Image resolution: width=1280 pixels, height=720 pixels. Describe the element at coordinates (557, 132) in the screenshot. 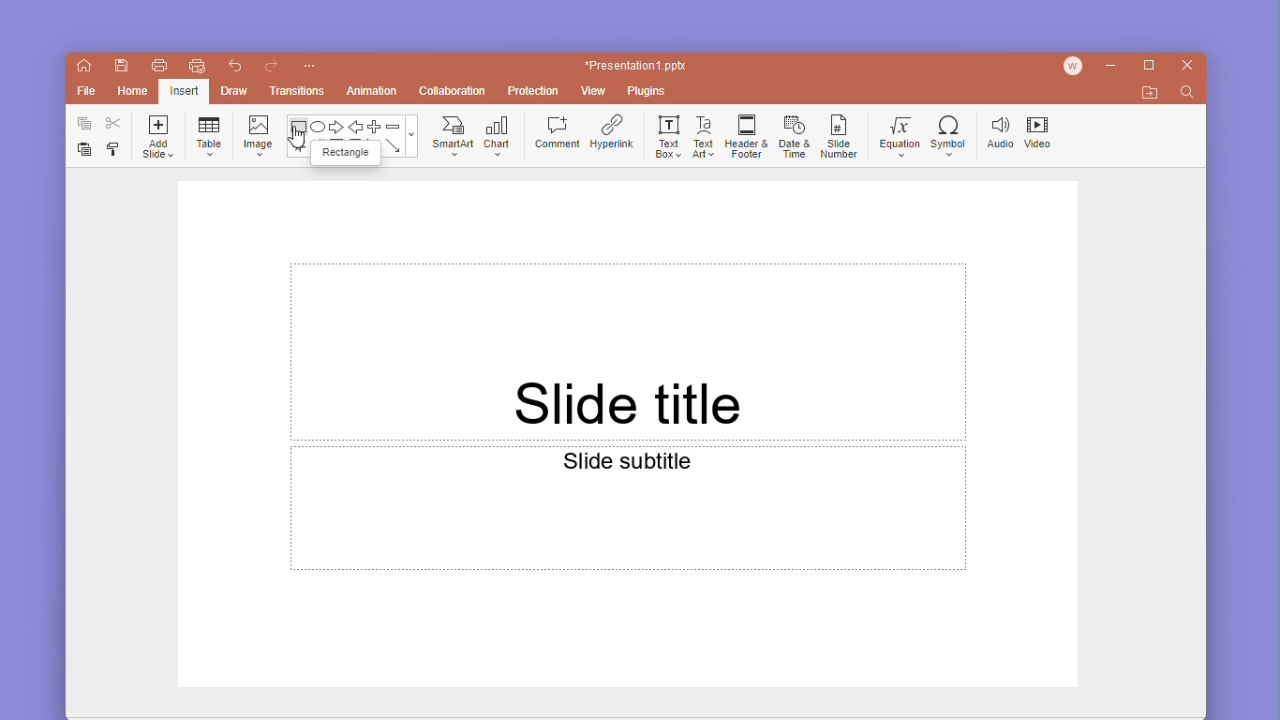

I see `comment` at that location.